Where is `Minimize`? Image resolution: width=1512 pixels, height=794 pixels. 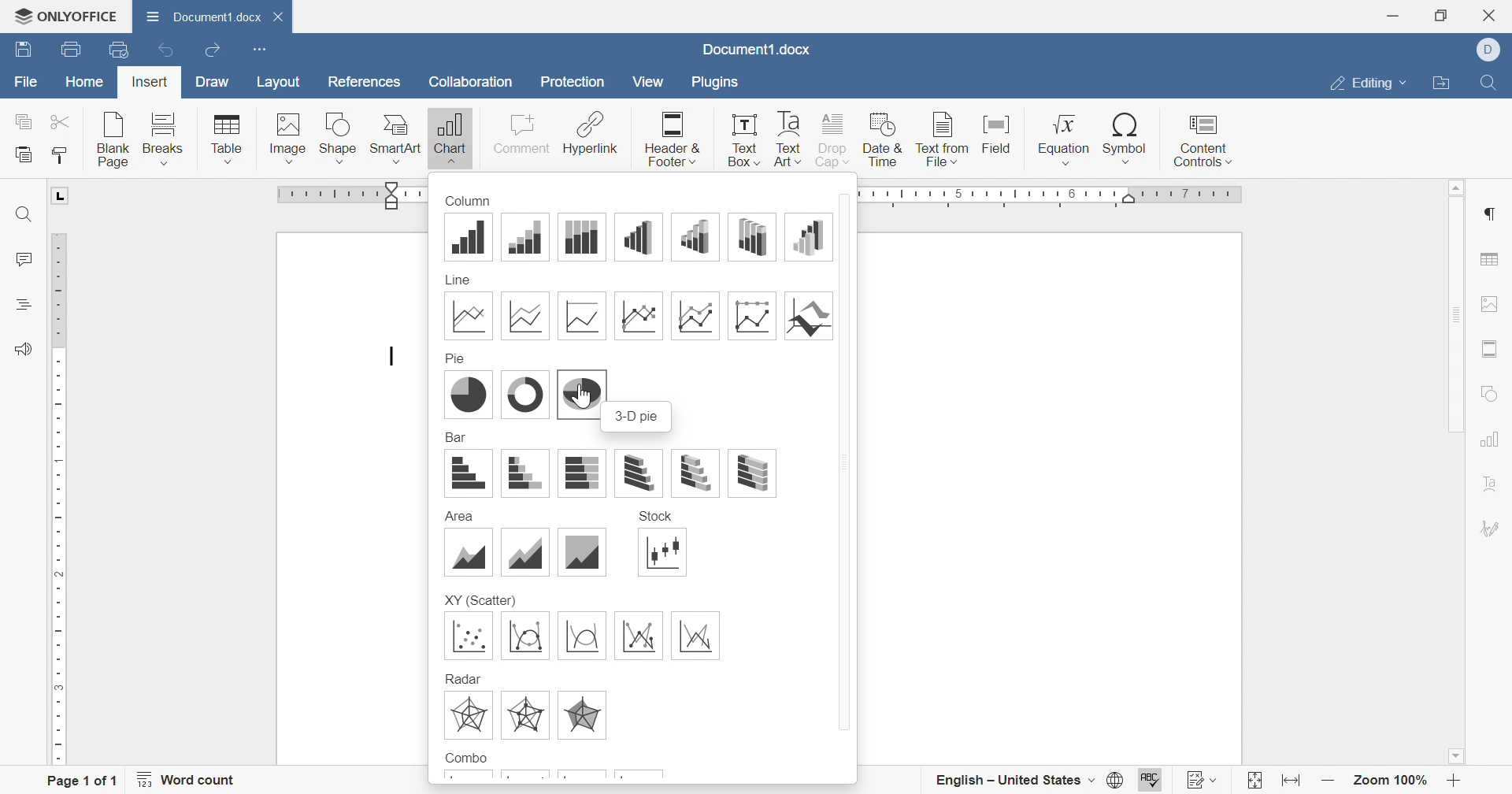
Minimize is located at coordinates (1393, 17).